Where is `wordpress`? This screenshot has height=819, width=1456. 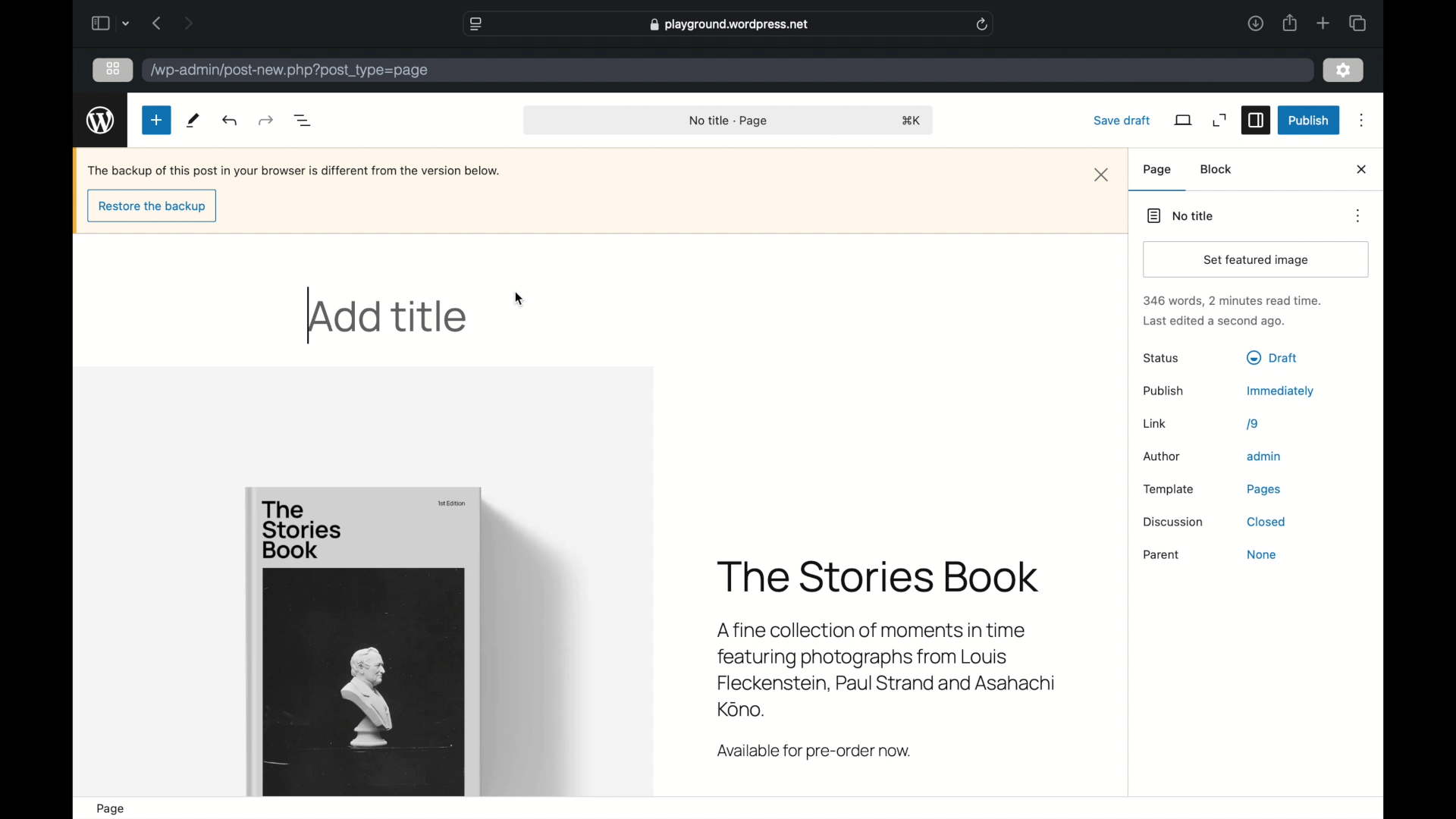 wordpress is located at coordinates (102, 120).